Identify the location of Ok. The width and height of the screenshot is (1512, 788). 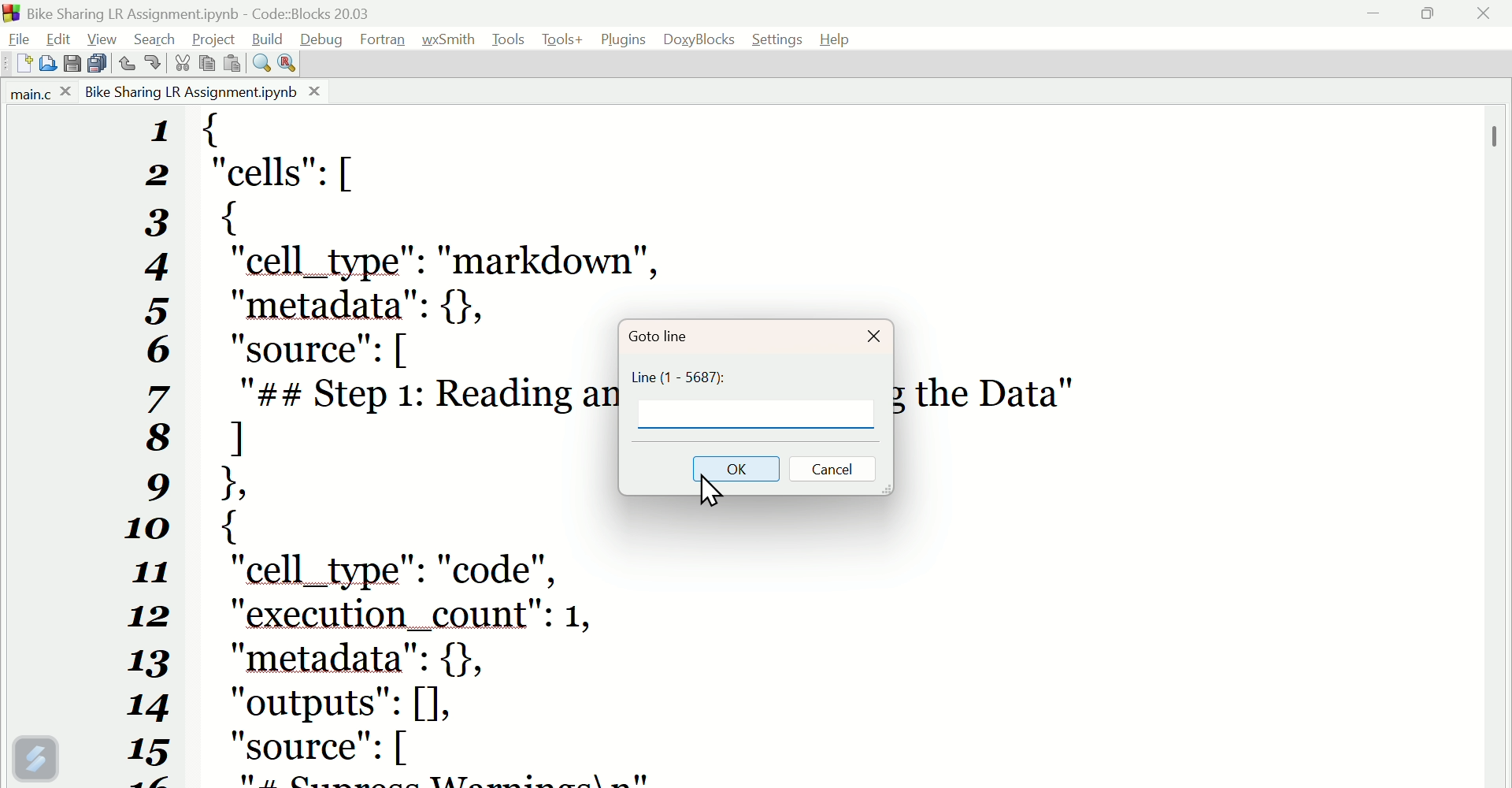
(736, 466).